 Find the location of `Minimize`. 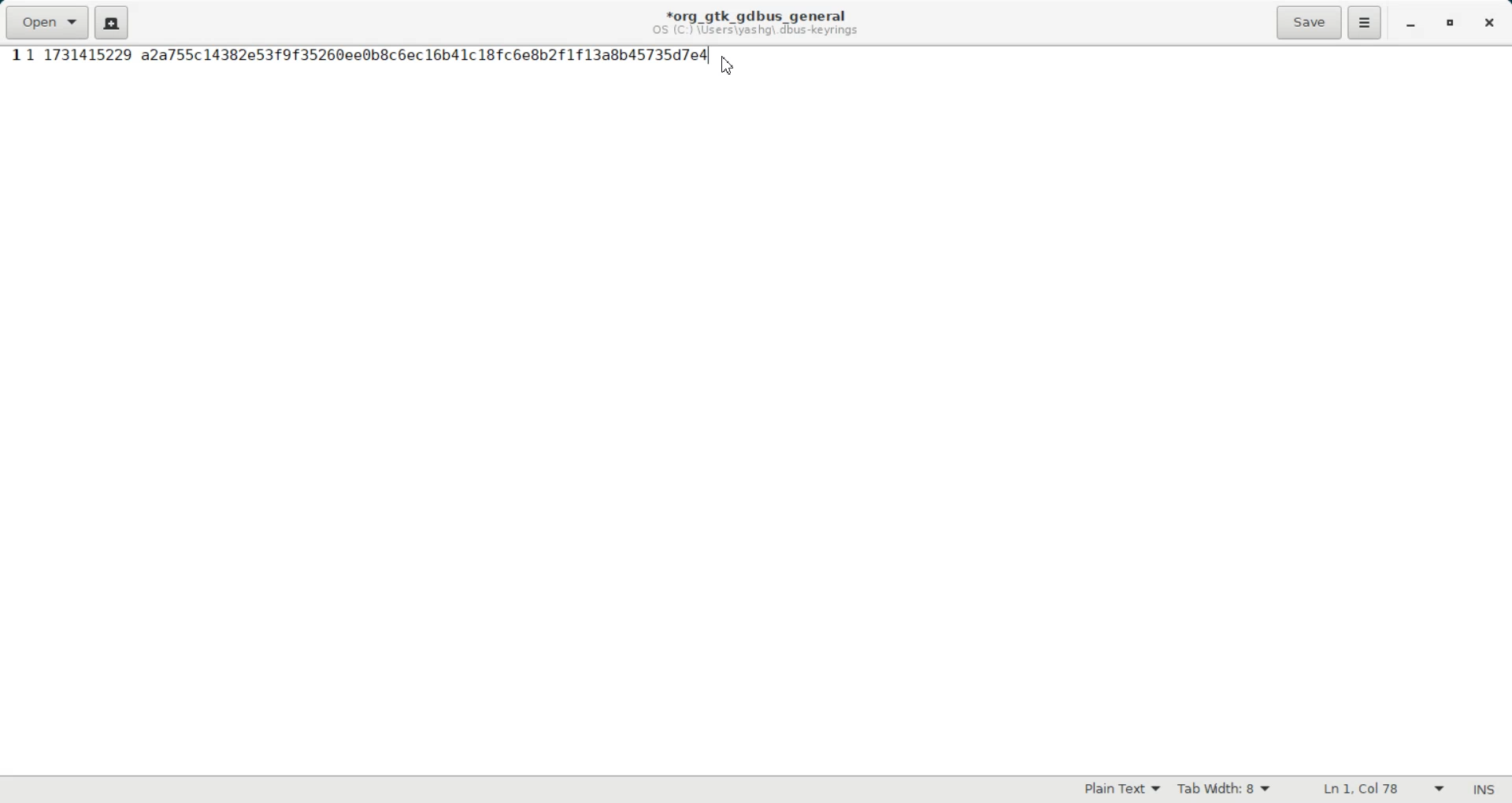

Minimize is located at coordinates (1410, 24).